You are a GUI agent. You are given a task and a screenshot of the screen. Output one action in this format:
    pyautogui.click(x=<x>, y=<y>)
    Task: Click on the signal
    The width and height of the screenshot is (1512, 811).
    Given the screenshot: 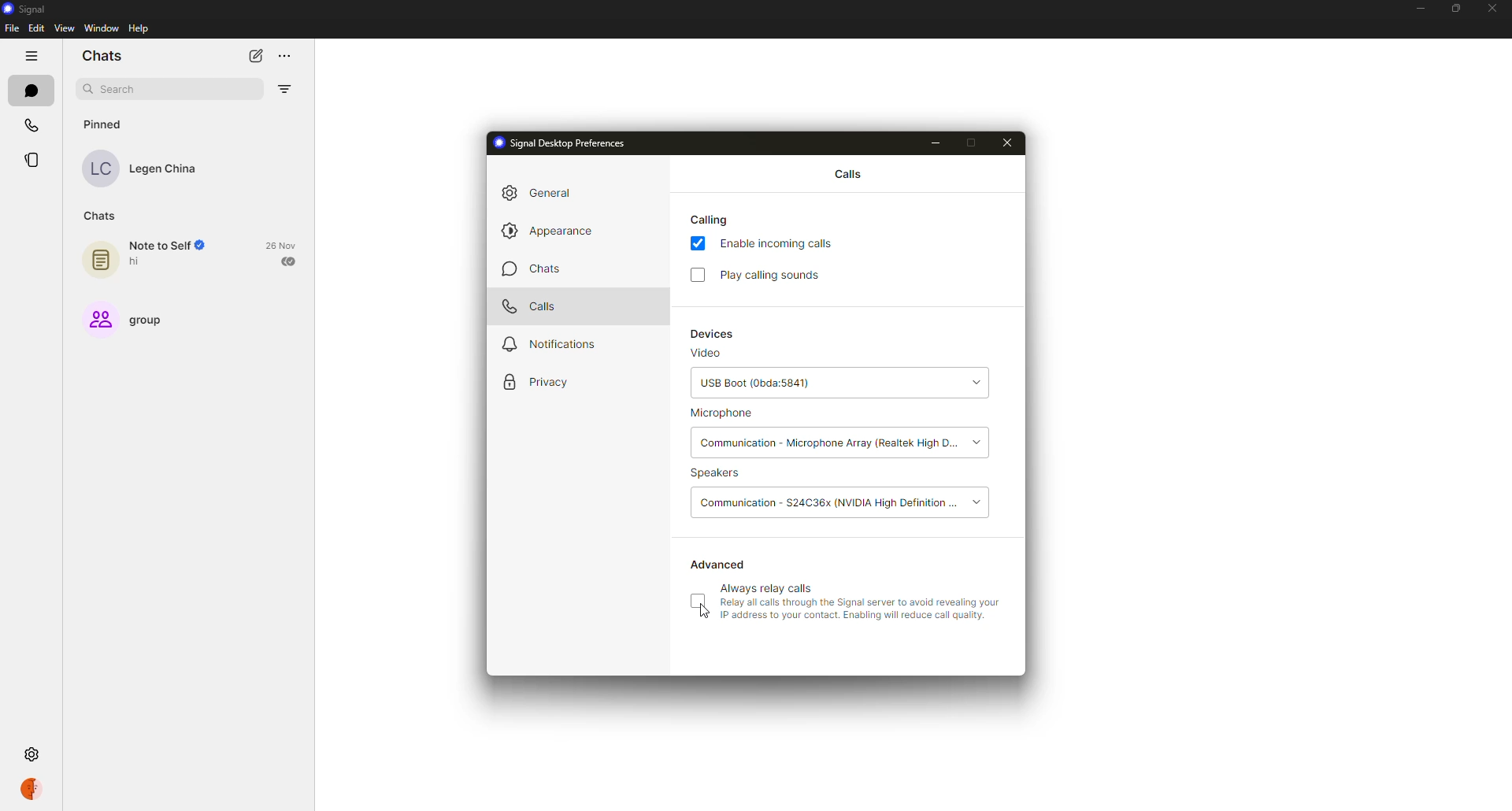 What is the action you would take?
    pyautogui.click(x=24, y=8)
    